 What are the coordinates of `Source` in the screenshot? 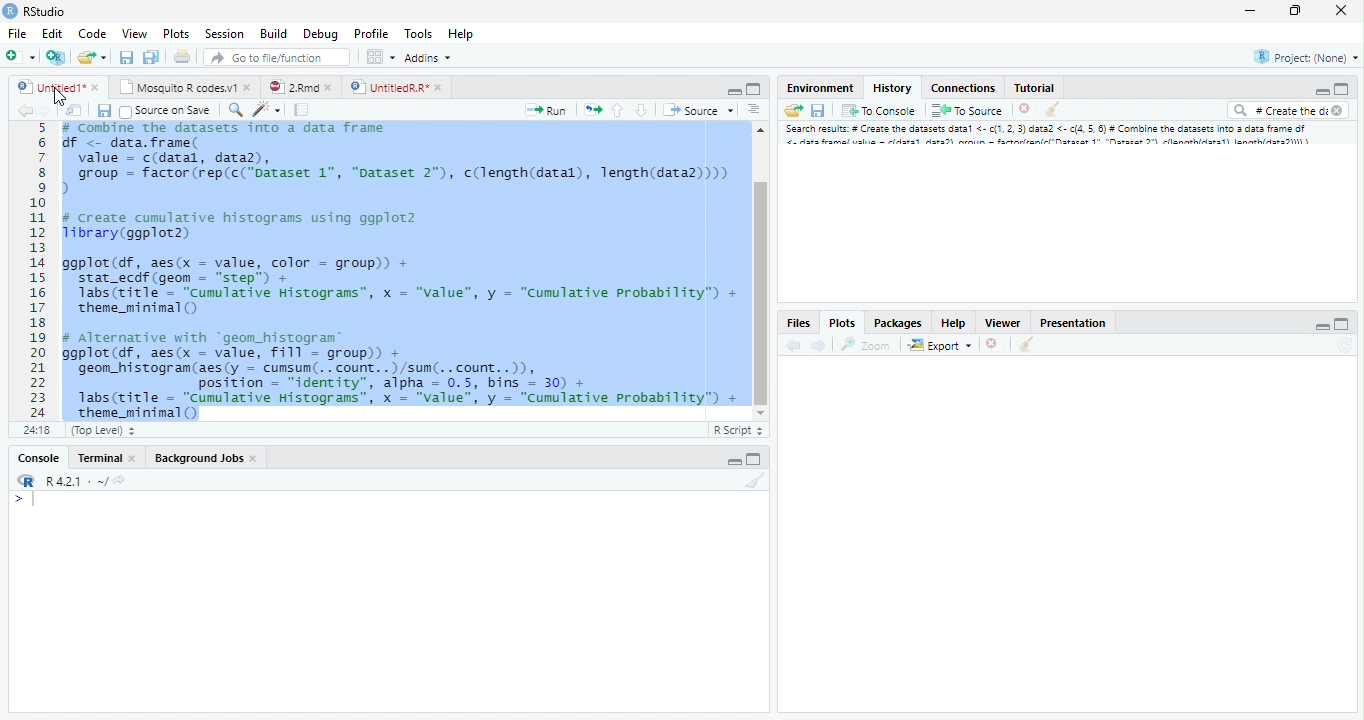 It's located at (698, 112).